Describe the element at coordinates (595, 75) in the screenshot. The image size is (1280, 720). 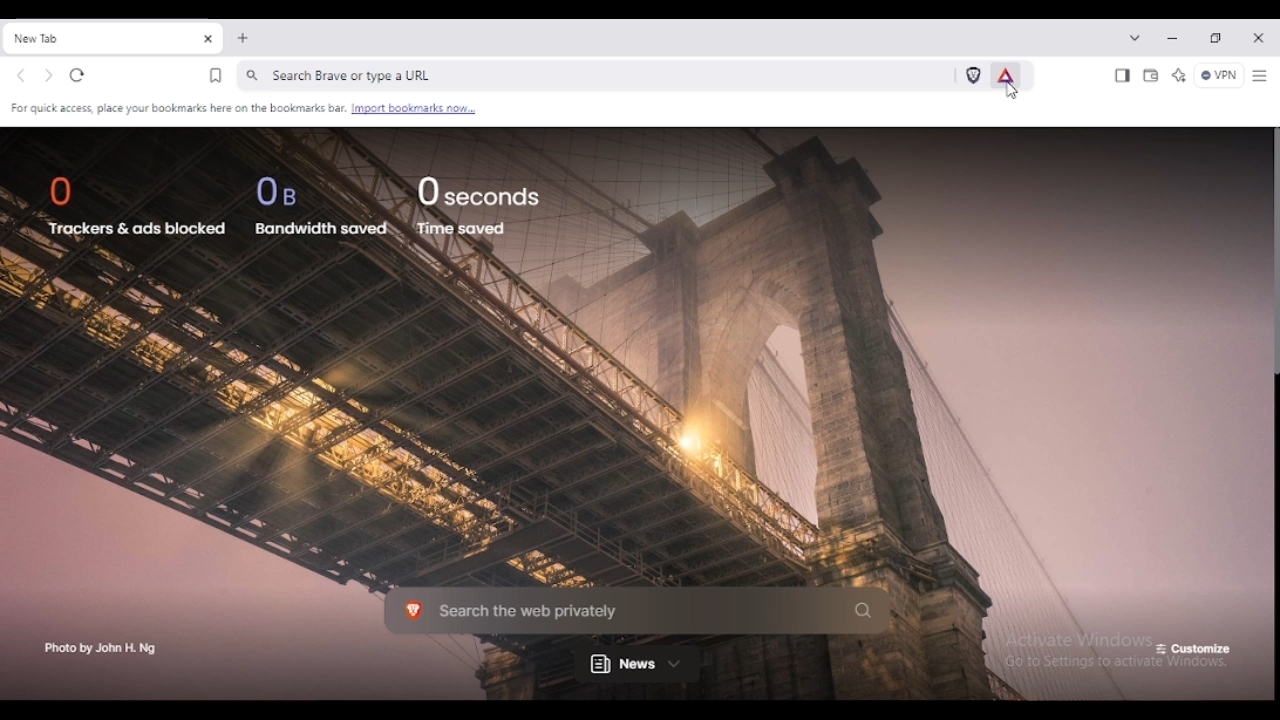
I see `search brave or type a URL` at that location.